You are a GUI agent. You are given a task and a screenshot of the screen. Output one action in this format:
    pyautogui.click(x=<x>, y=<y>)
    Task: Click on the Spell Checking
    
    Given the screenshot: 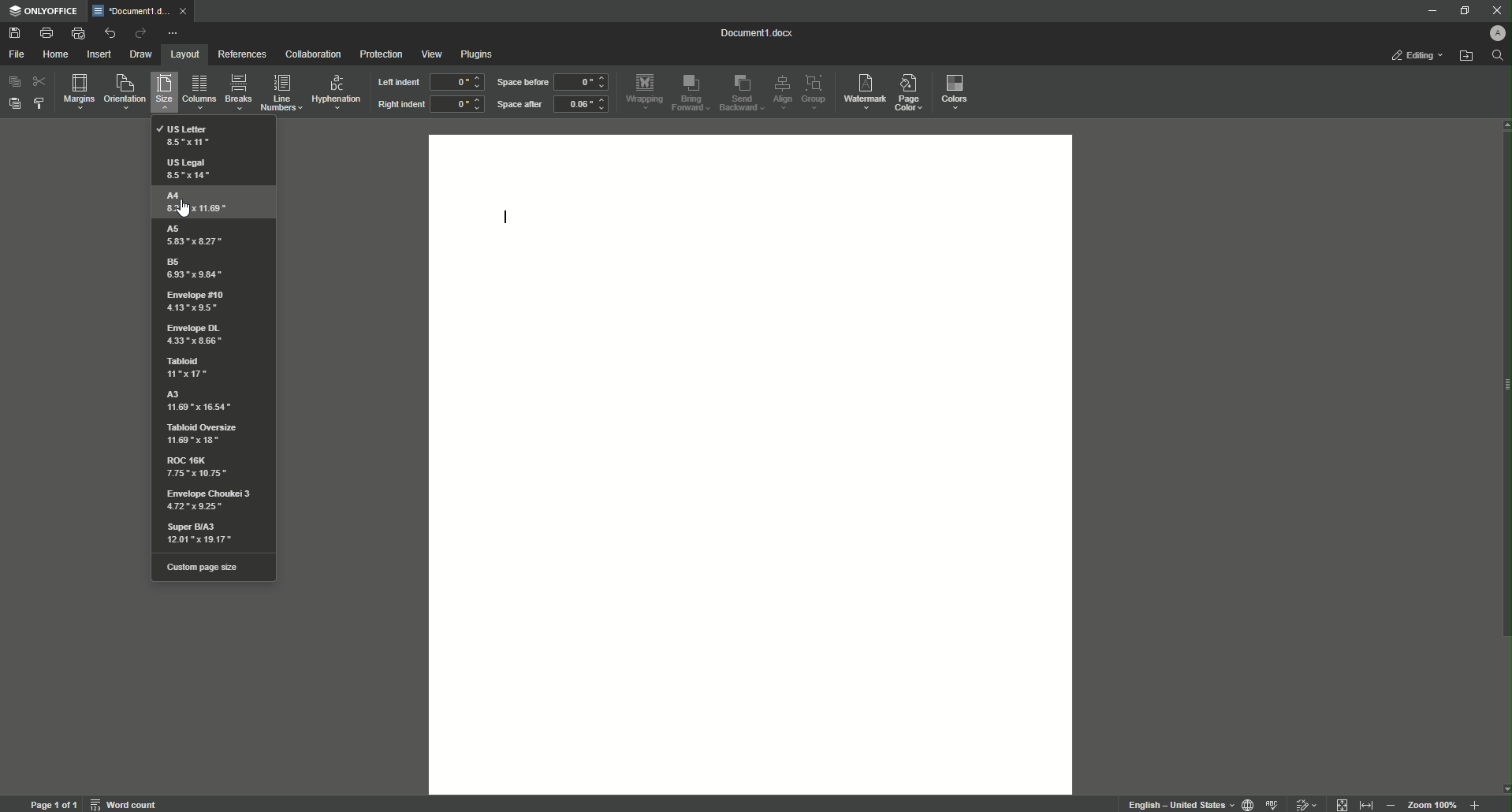 What is the action you would take?
    pyautogui.click(x=1274, y=803)
    